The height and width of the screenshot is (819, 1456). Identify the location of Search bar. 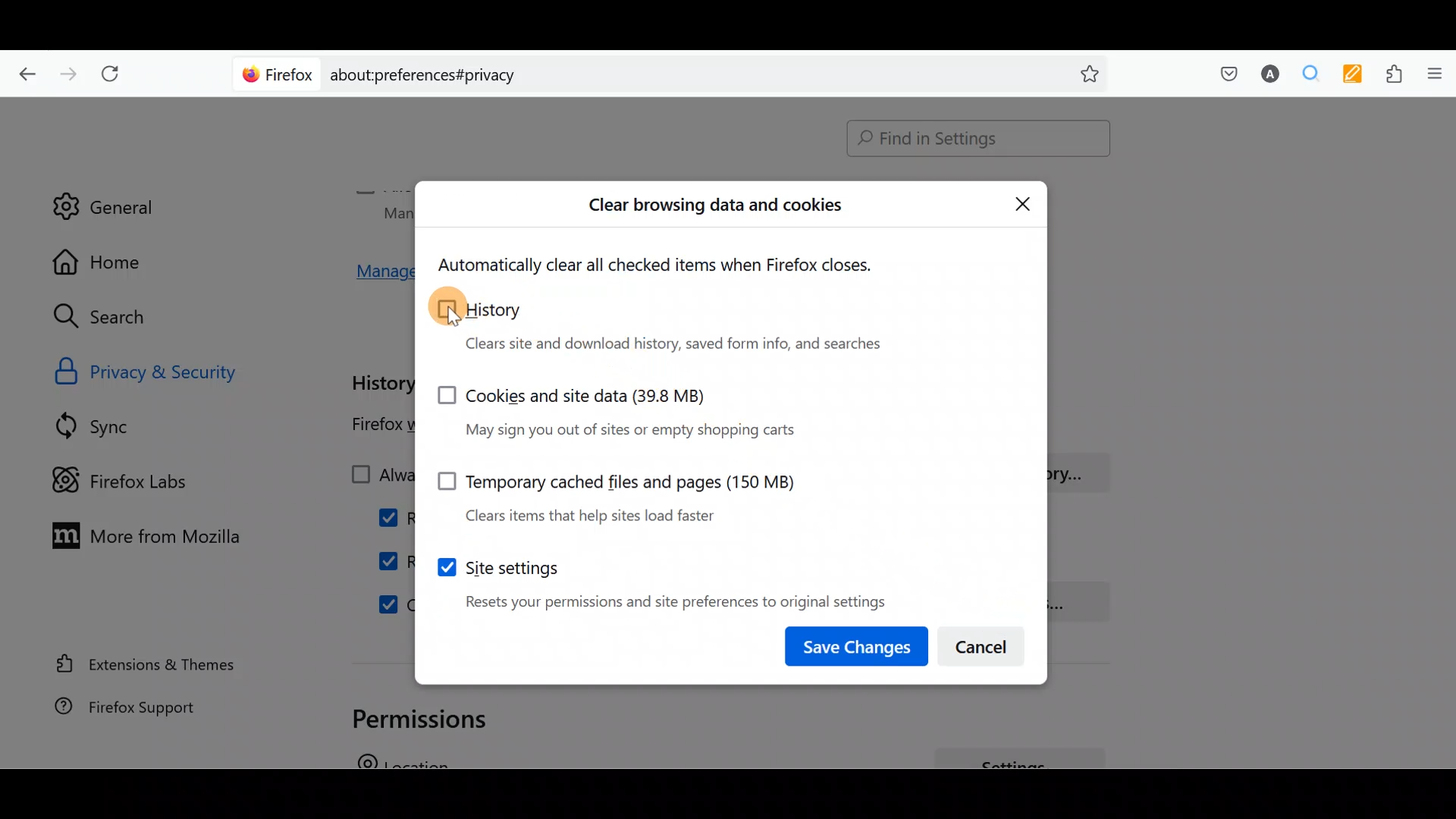
(675, 72).